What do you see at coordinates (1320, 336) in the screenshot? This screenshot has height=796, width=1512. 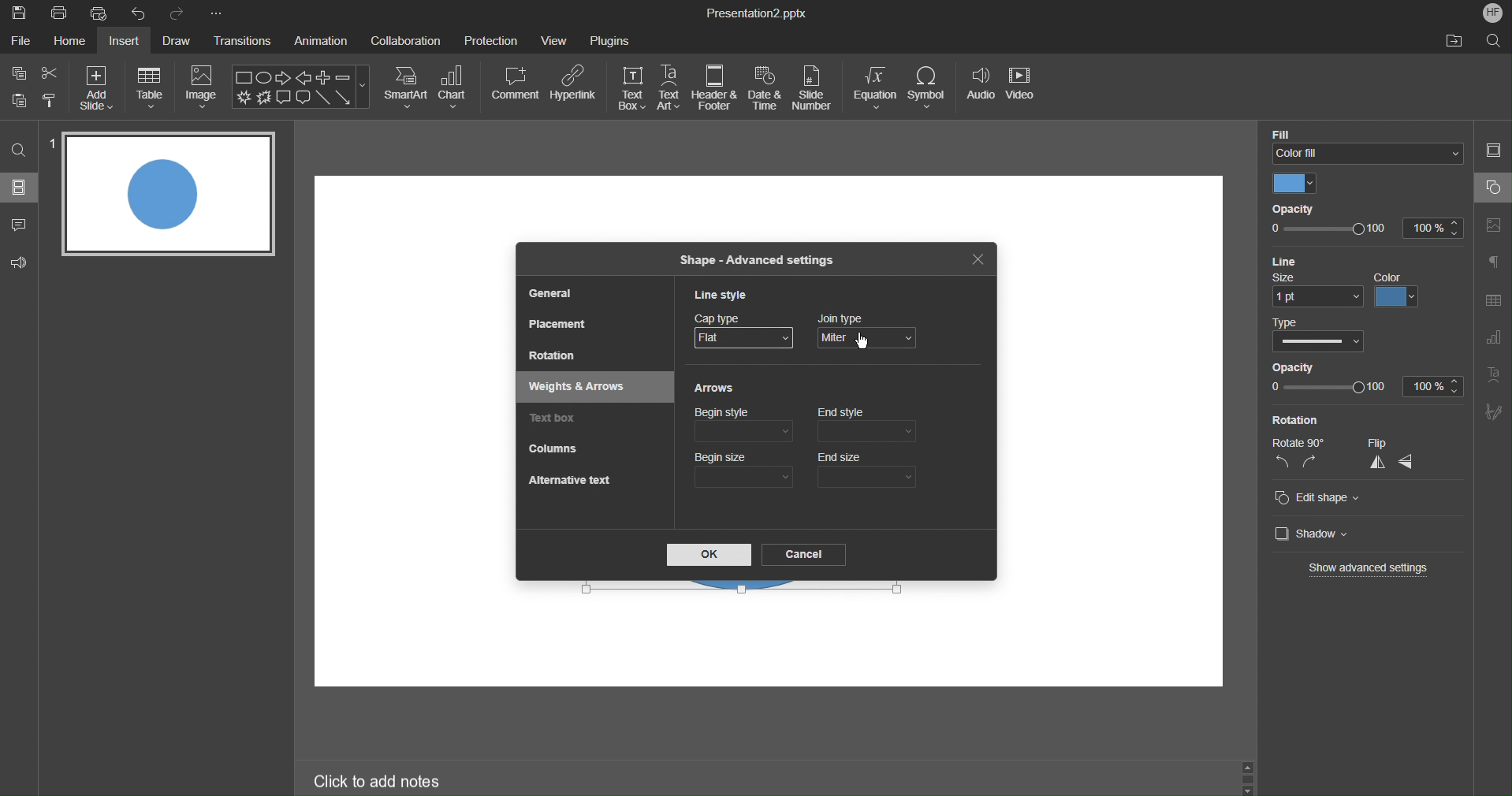 I see `Type` at bounding box center [1320, 336].